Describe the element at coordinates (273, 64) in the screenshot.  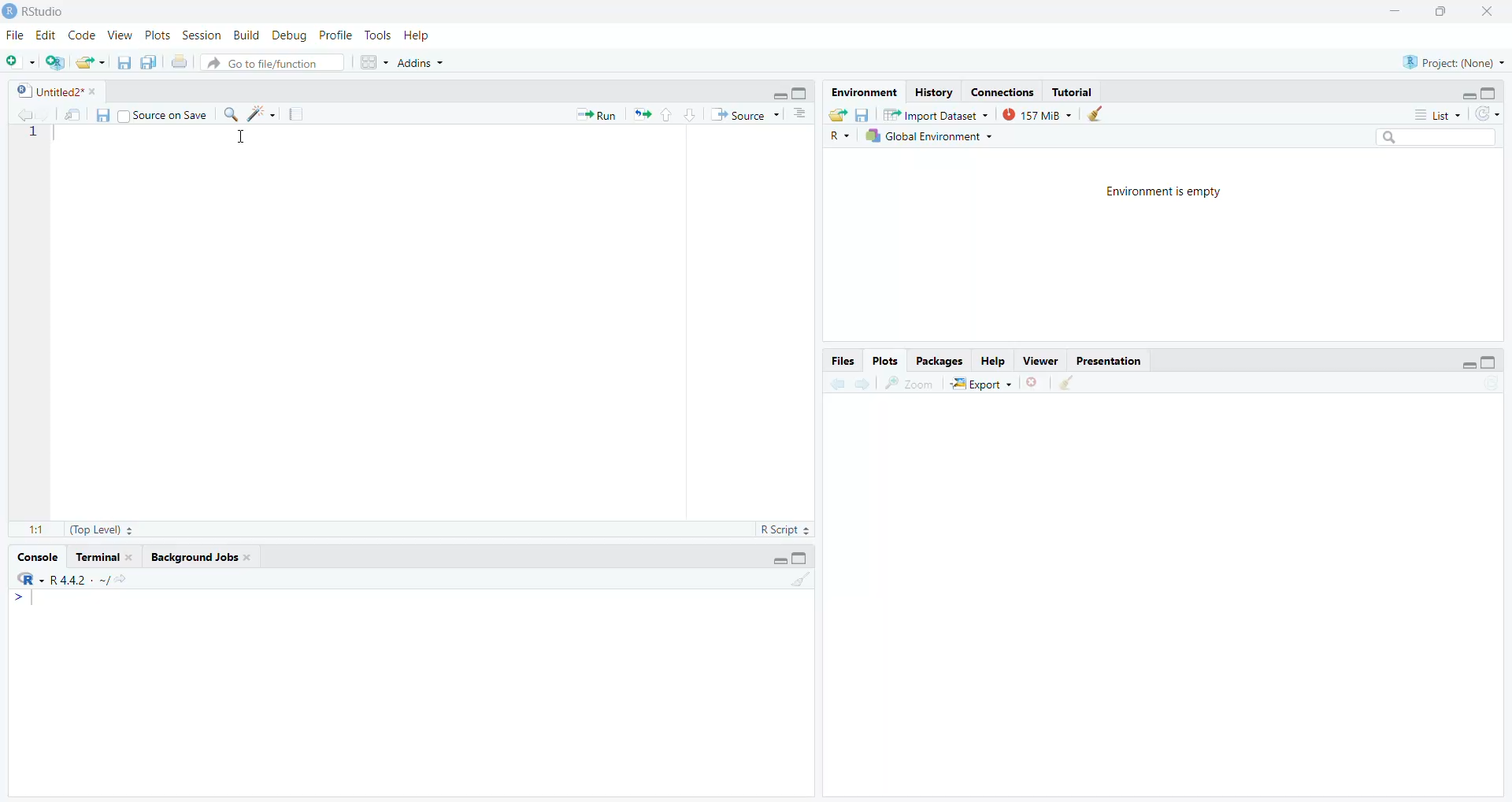
I see `go to file/function` at that location.